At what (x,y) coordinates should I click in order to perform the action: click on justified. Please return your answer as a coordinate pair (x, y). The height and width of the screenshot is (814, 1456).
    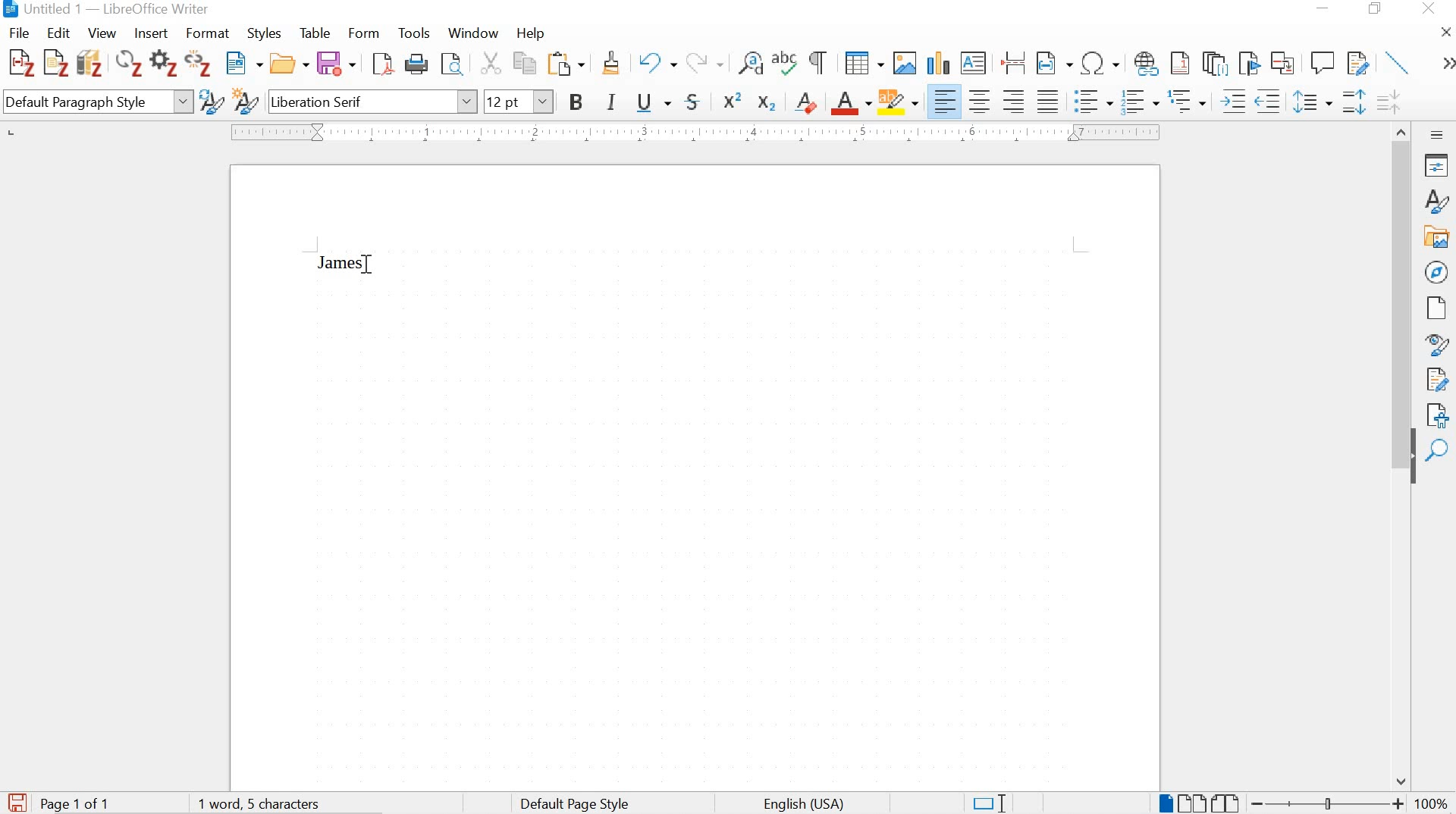
    Looking at the image, I should click on (1048, 99).